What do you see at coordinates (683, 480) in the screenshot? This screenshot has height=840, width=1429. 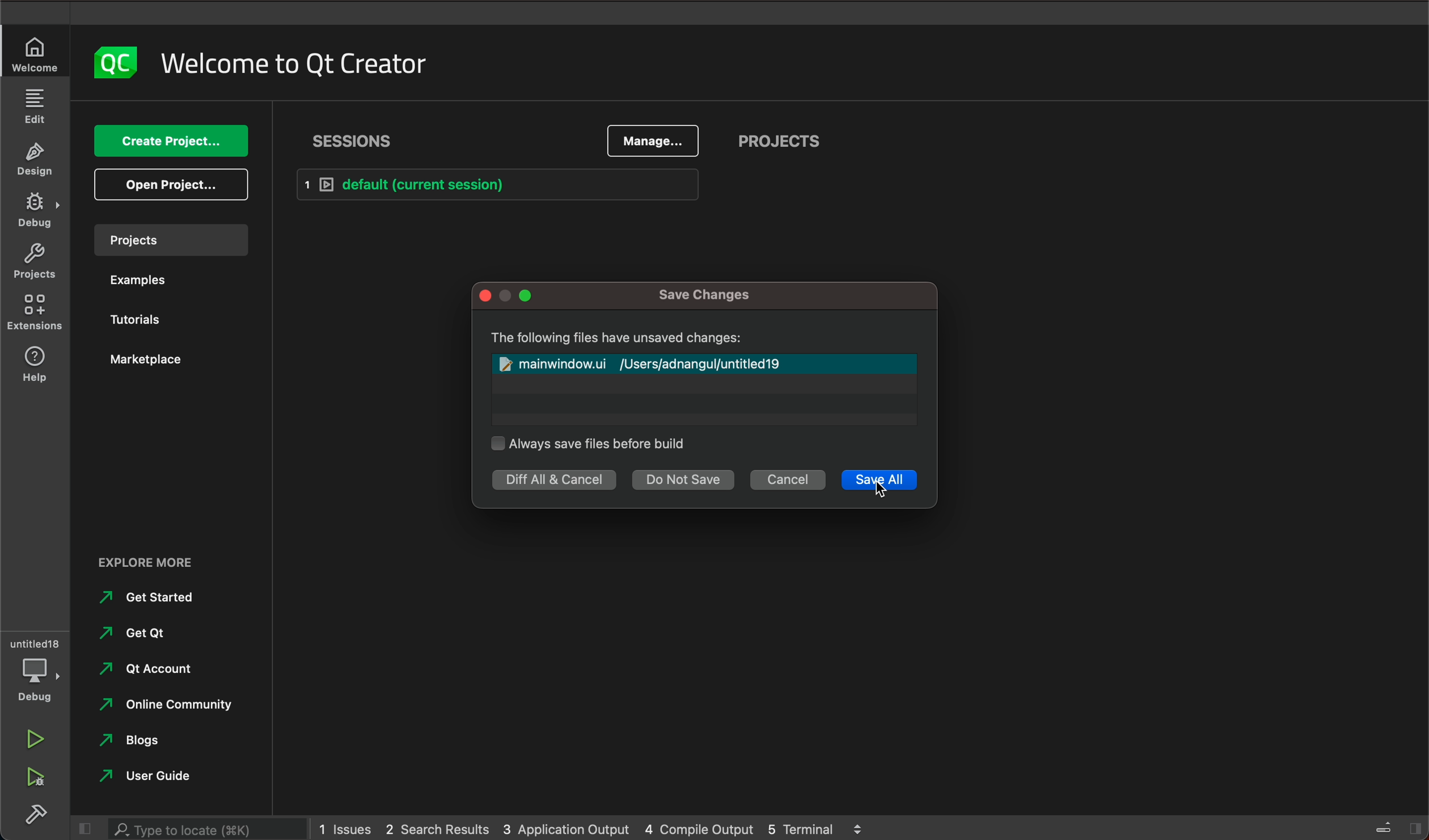 I see `do not saVE` at bounding box center [683, 480].